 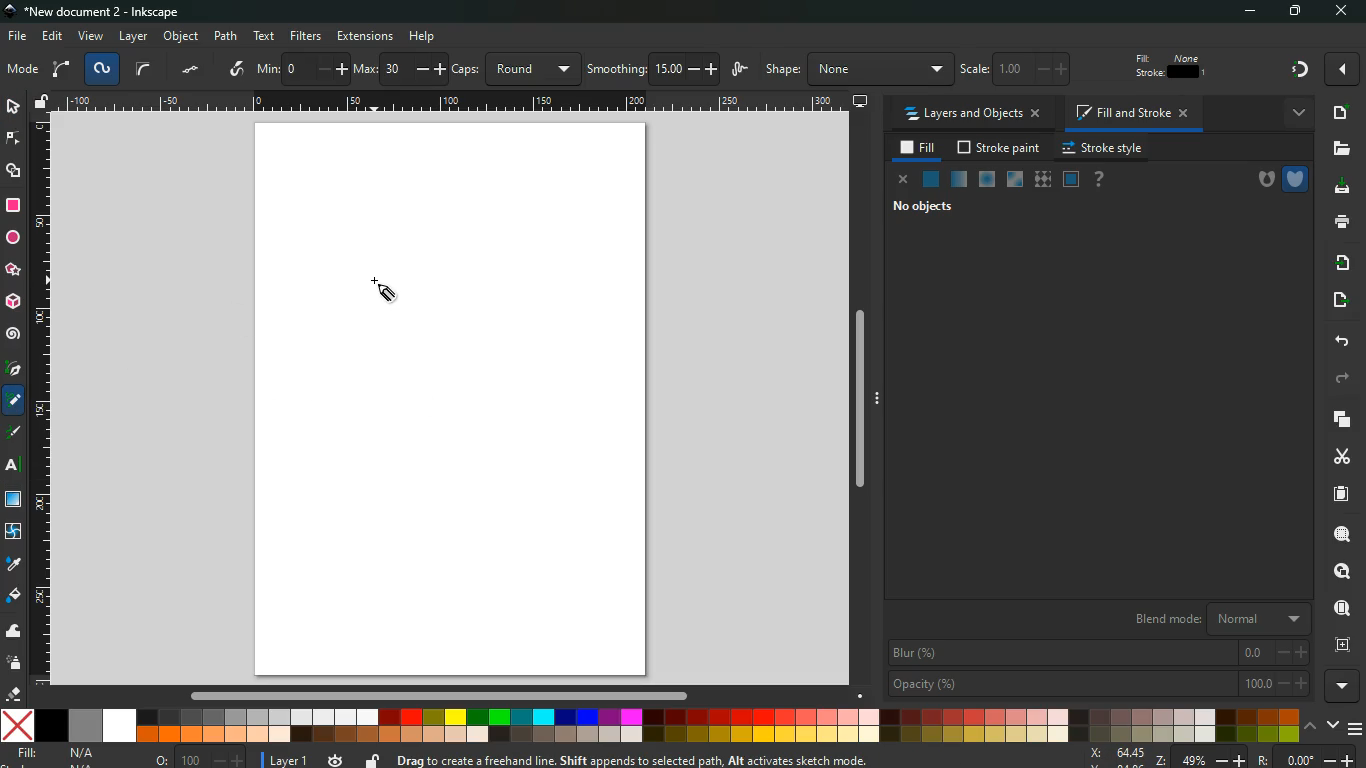 I want to click on drop, so click(x=15, y=567).